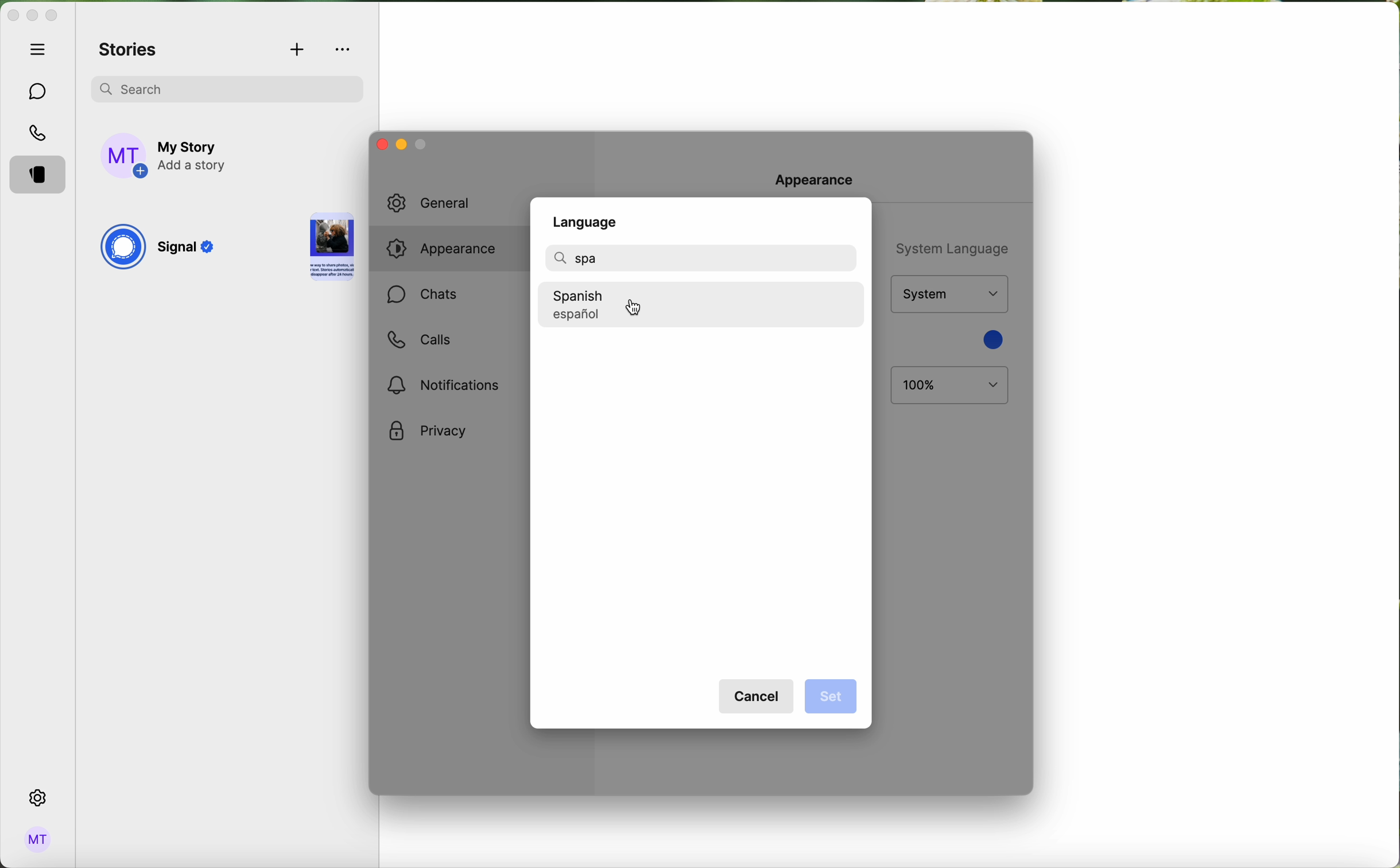 This screenshot has width=1400, height=868. What do you see at coordinates (991, 339) in the screenshot?
I see `blue` at bounding box center [991, 339].